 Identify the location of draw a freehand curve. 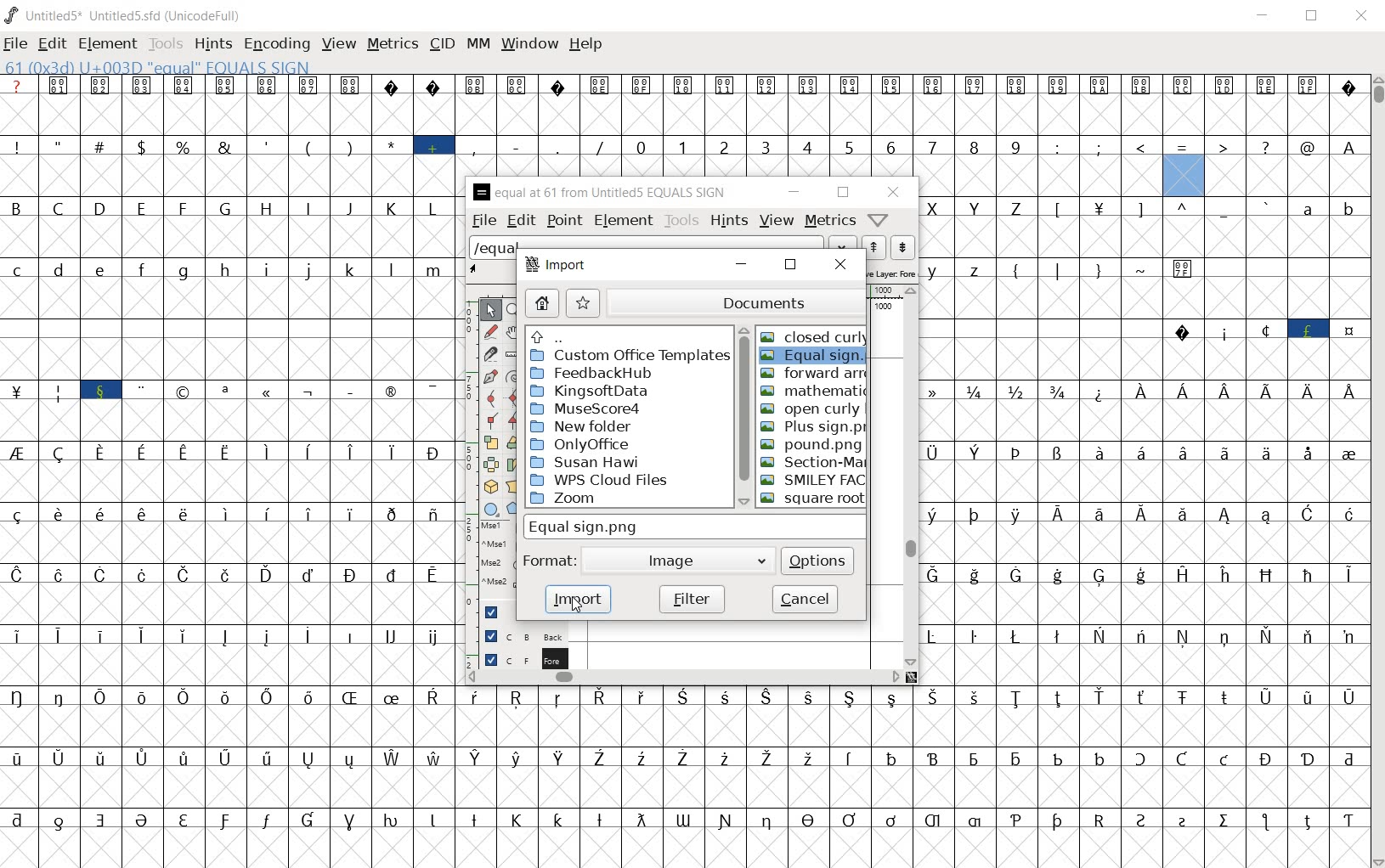
(489, 330).